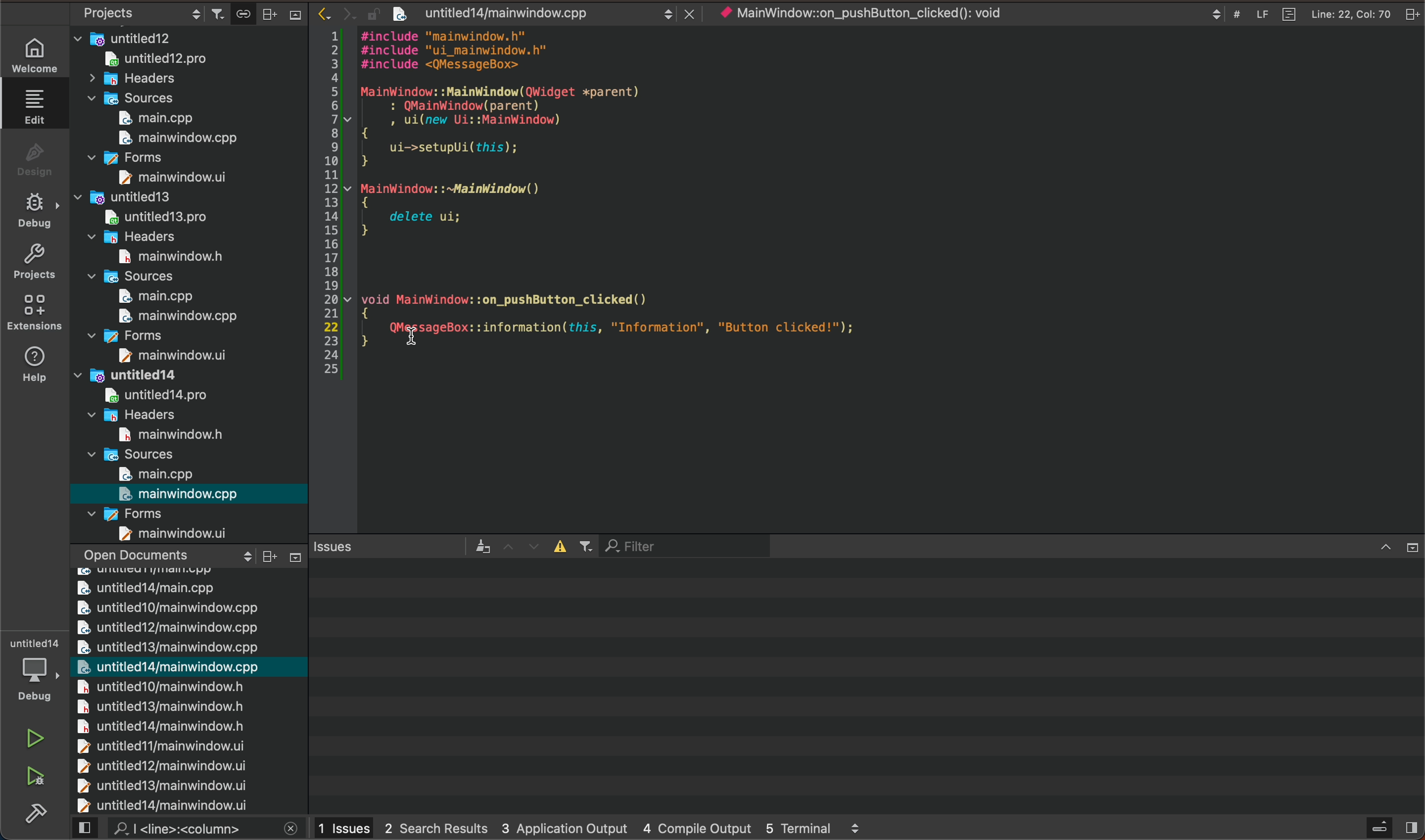 Image resolution: width=1425 pixels, height=840 pixels. Describe the element at coordinates (188, 829) in the screenshot. I see `search` at that location.